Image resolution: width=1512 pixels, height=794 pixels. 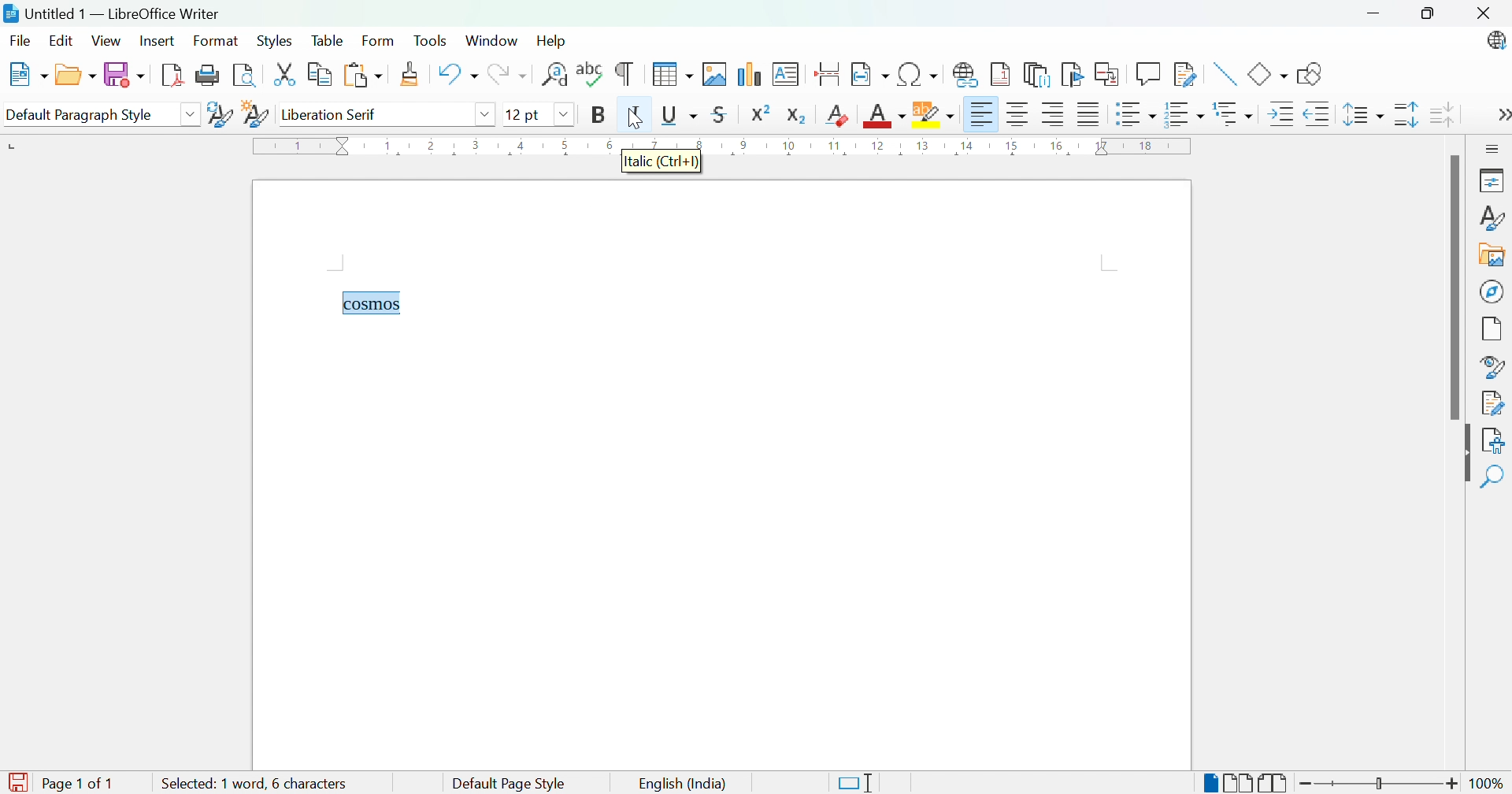 I want to click on Sidebar settings, so click(x=1495, y=149).